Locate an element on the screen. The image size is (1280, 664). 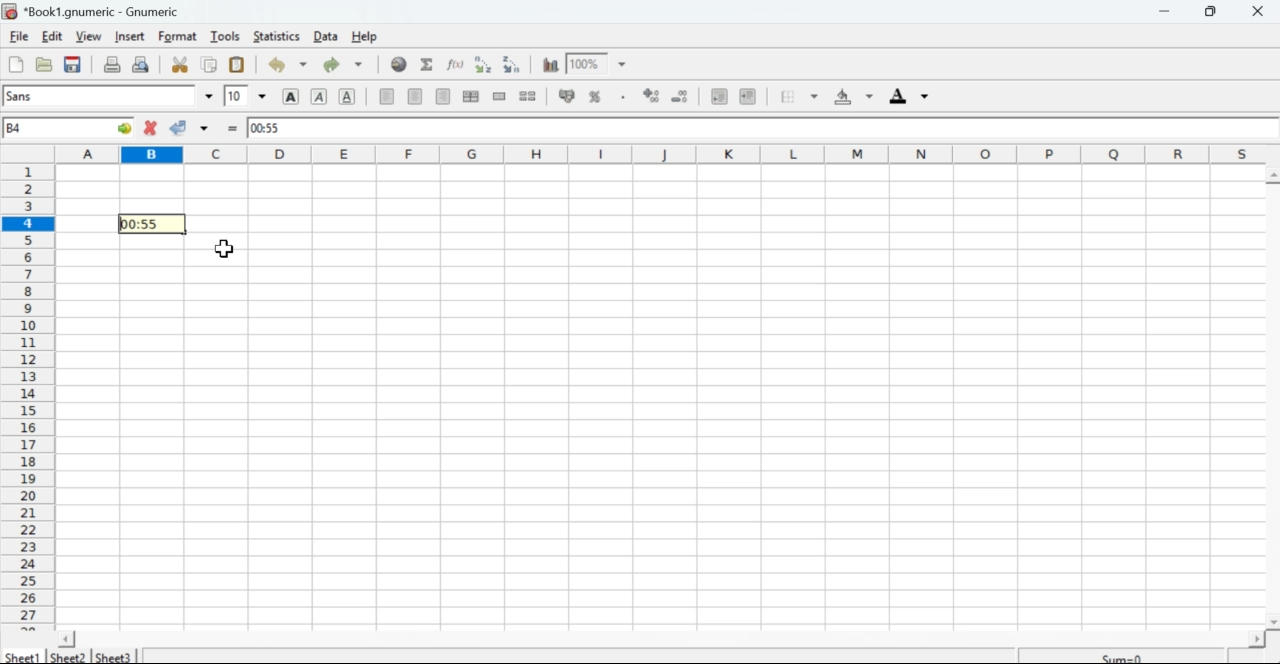
Font size is located at coordinates (235, 95).